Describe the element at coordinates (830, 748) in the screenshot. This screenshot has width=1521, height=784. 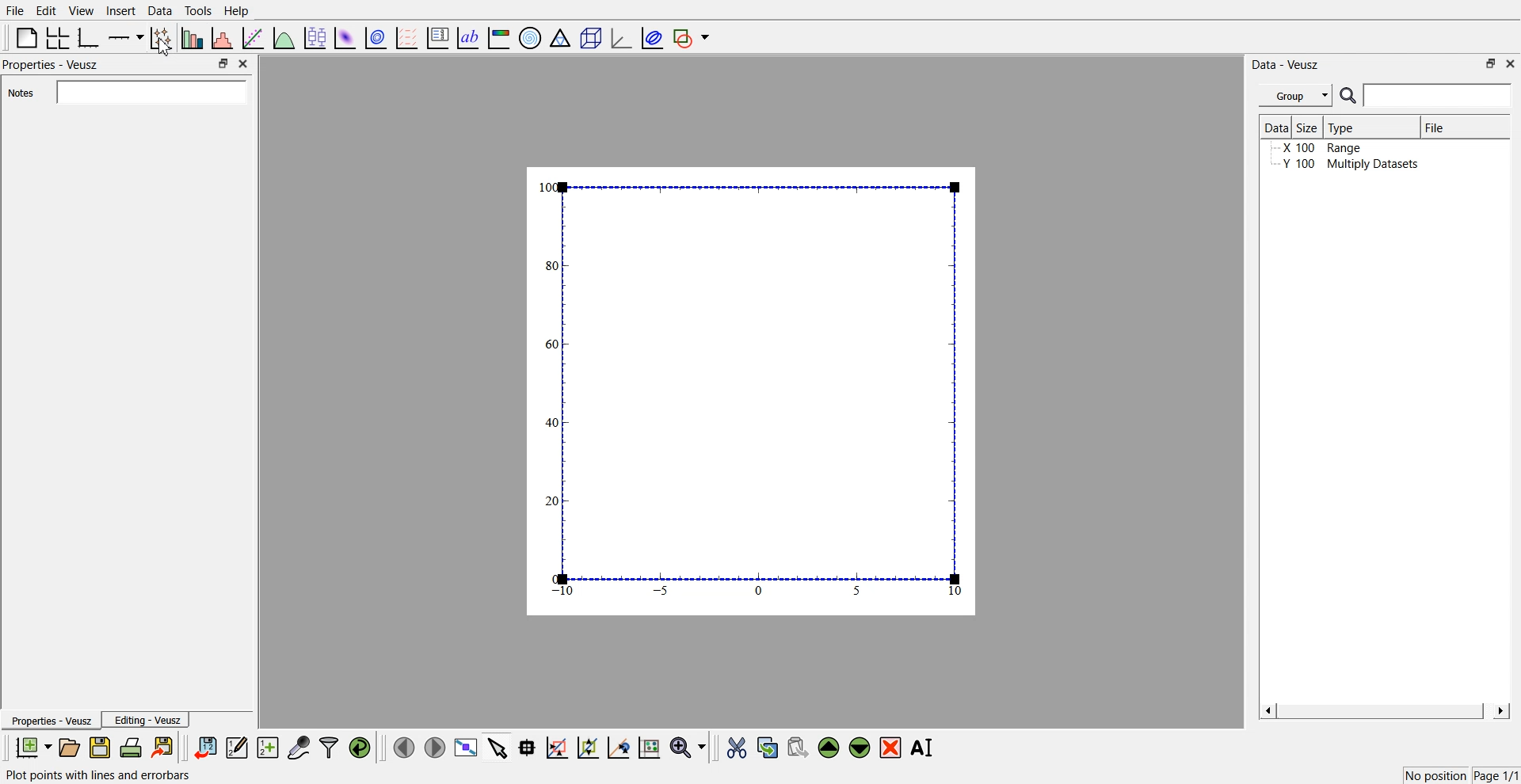
I see `move the selected widgets up` at that location.